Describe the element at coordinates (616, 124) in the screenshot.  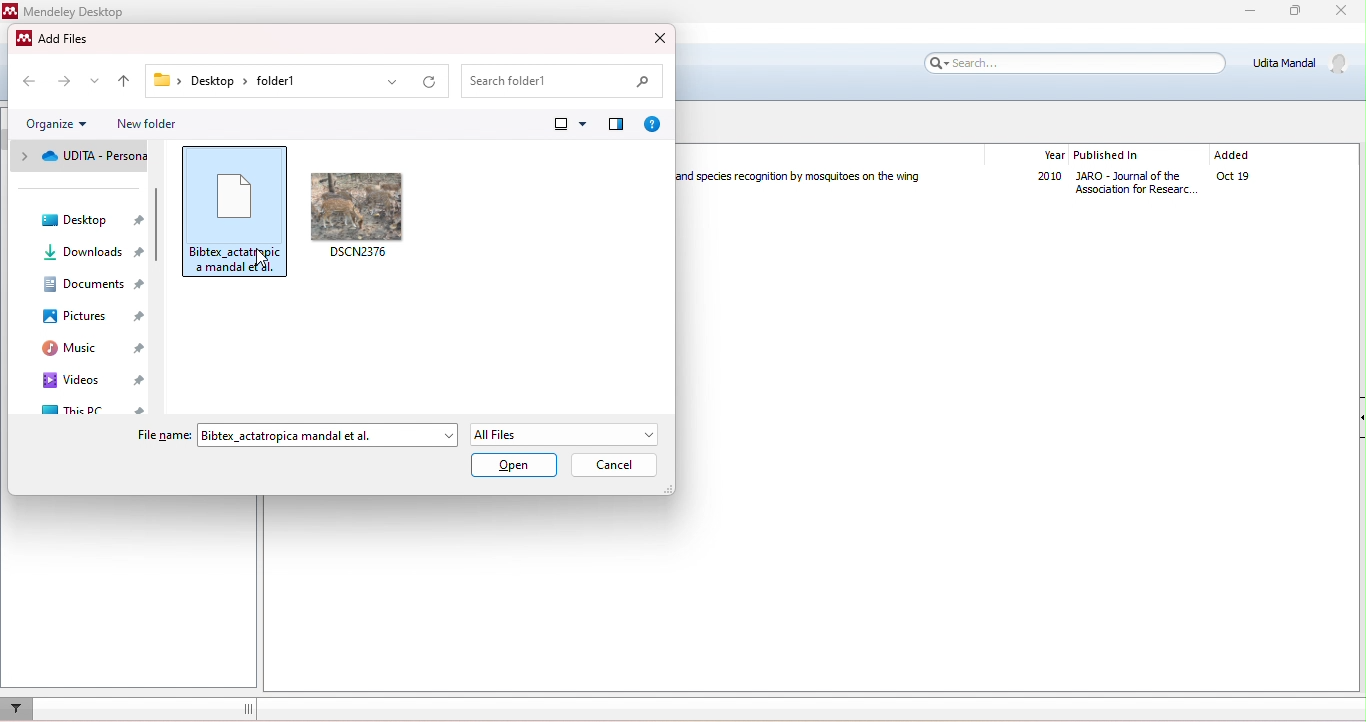
I see `show preview pane` at that location.